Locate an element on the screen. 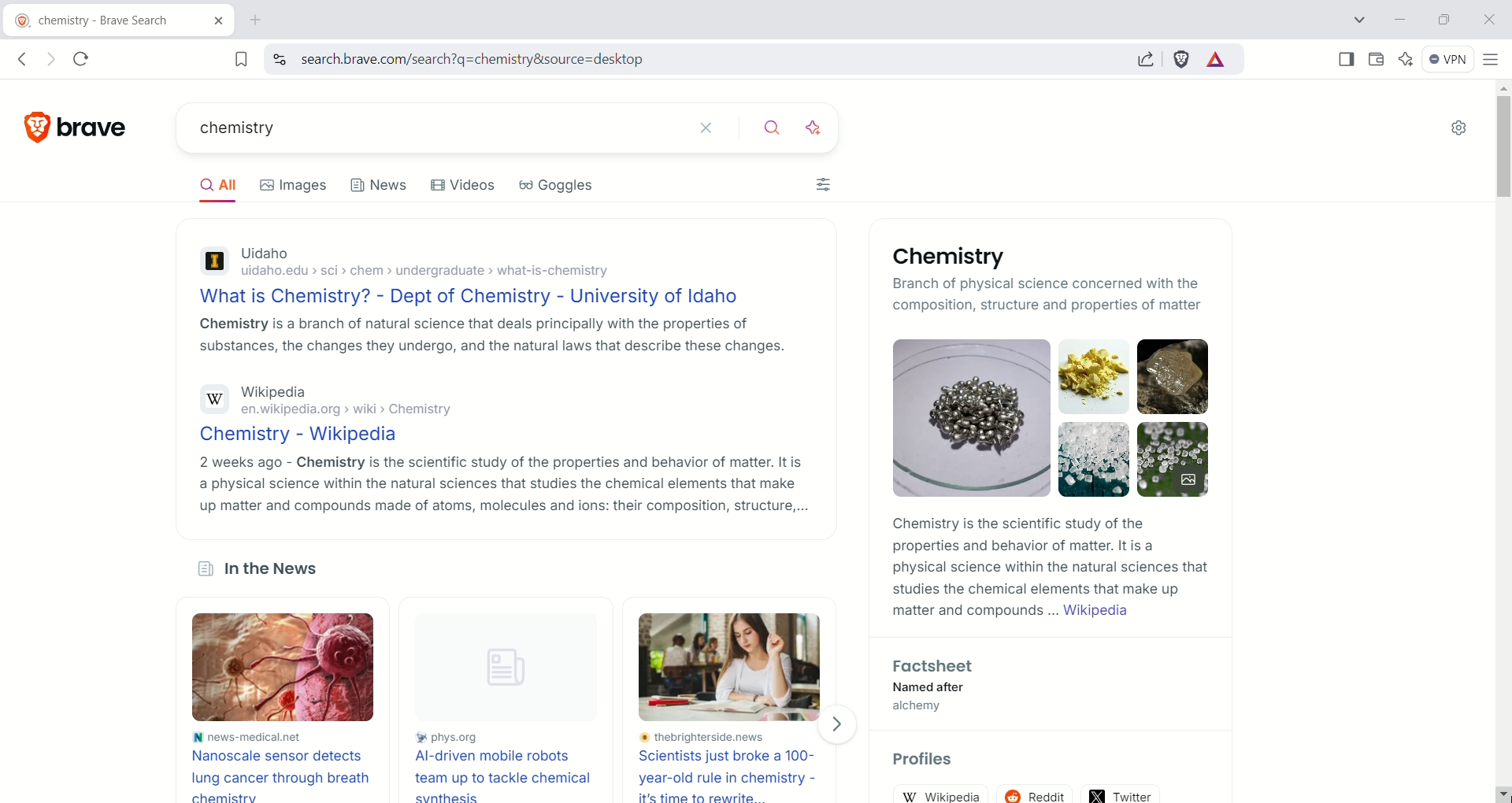  brave shield is located at coordinates (1182, 59).